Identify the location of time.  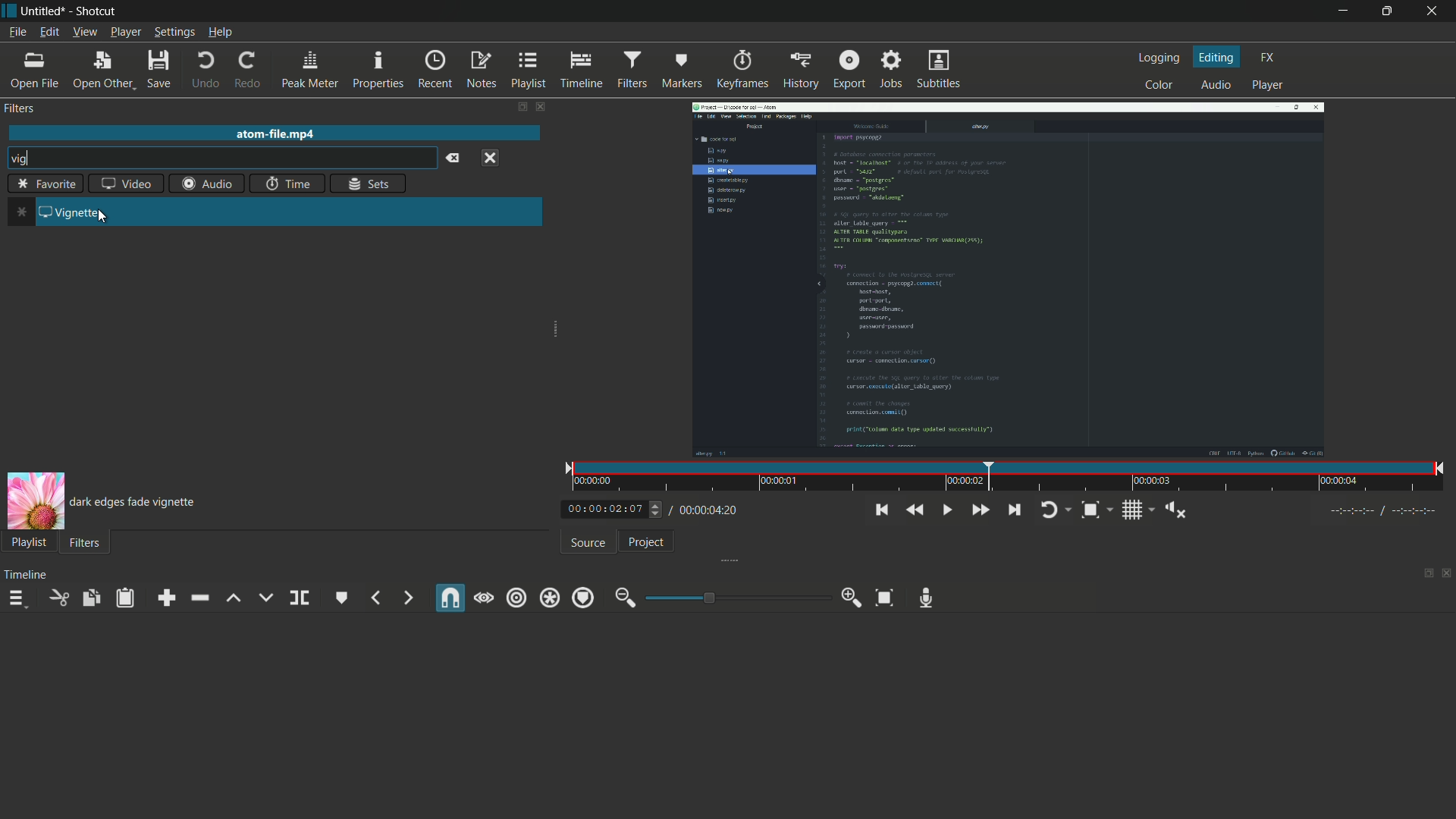
(287, 183).